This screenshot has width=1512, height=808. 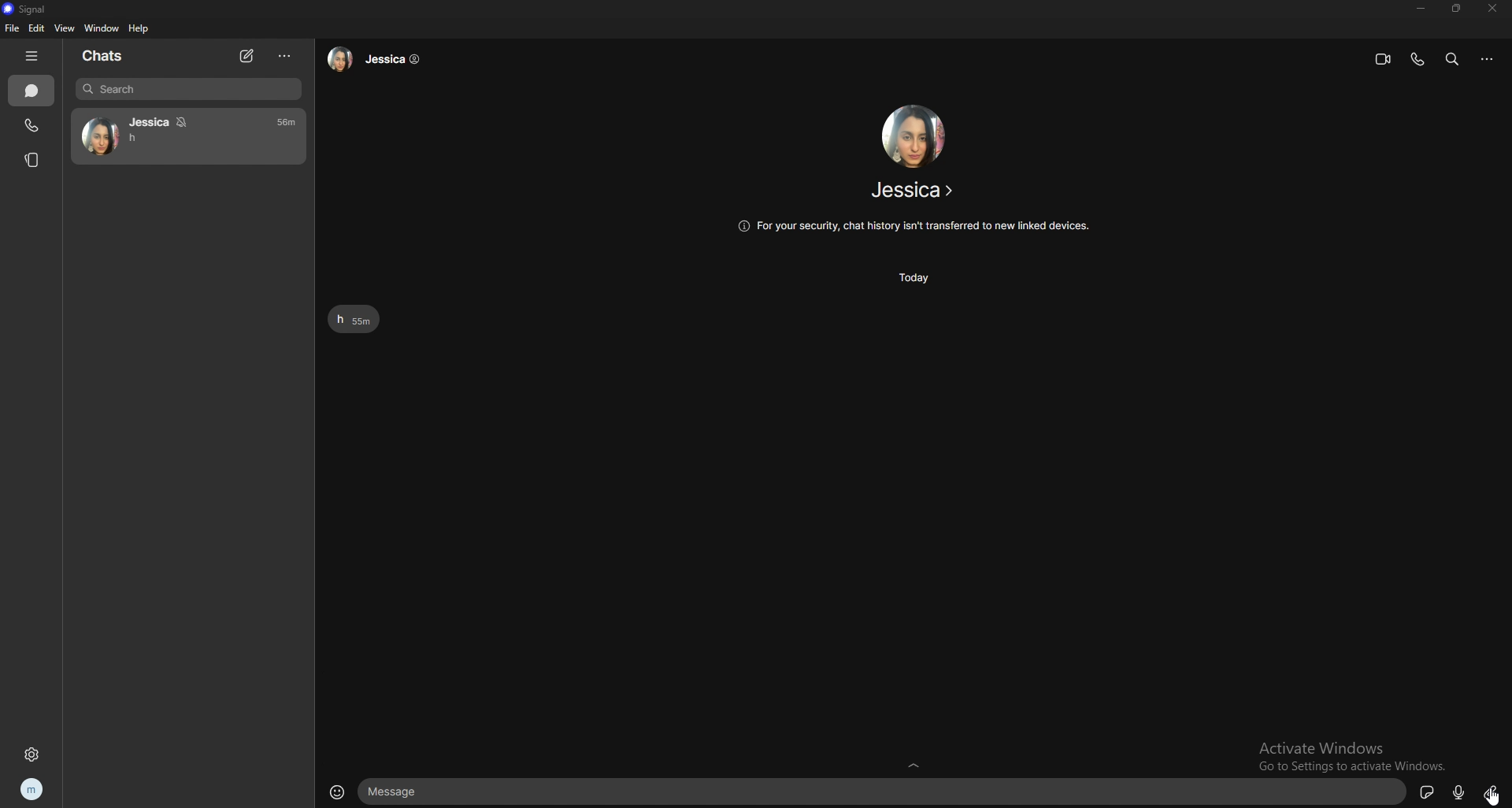 What do you see at coordinates (1492, 8) in the screenshot?
I see `close` at bounding box center [1492, 8].